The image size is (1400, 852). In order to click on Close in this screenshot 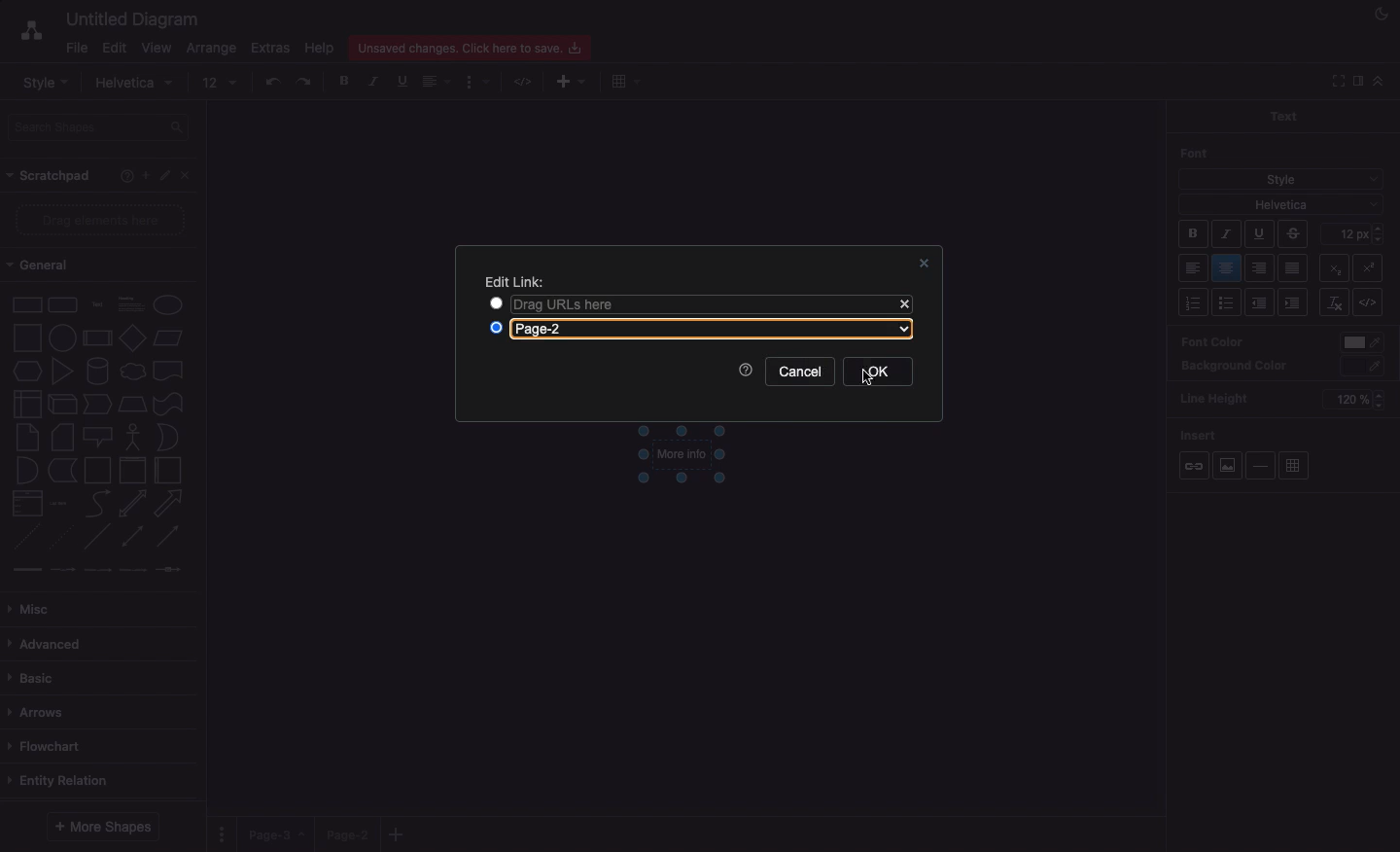, I will do `click(904, 305)`.